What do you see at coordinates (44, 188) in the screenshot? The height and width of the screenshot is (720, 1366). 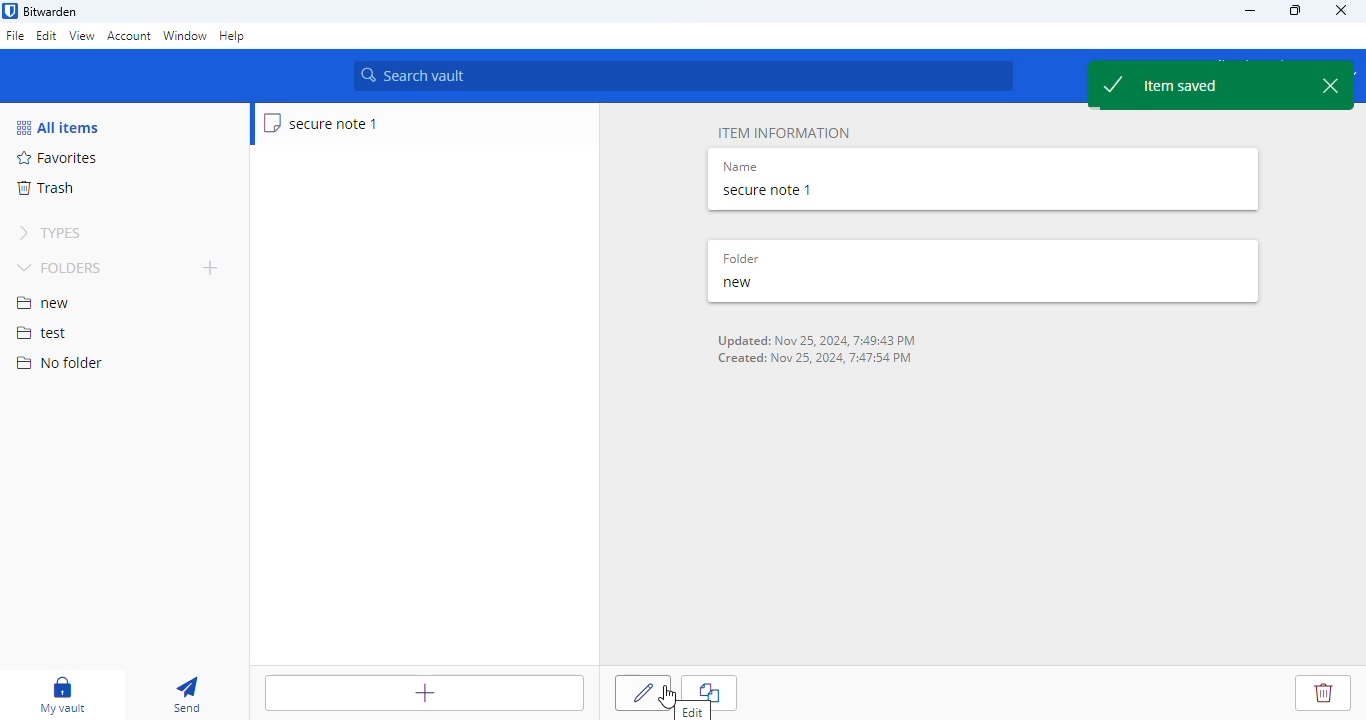 I see `trash` at bounding box center [44, 188].